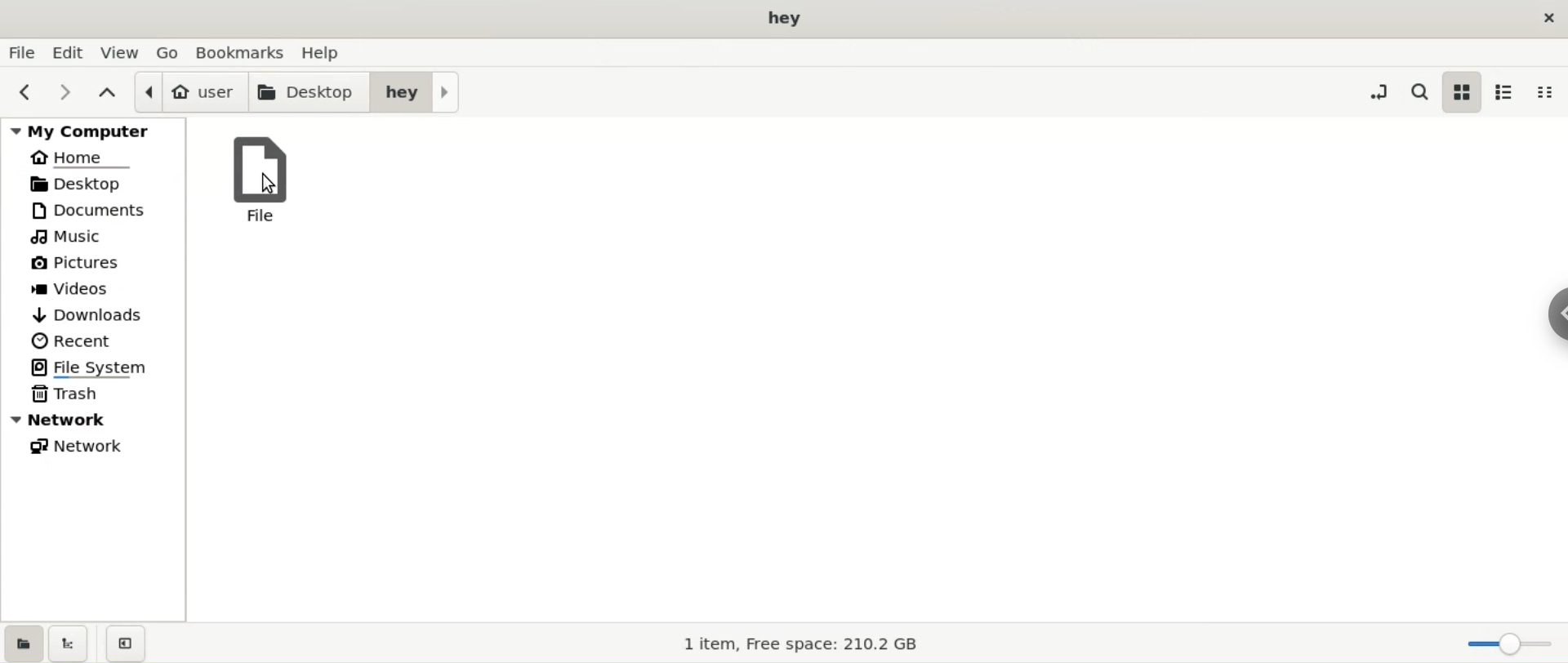  Describe the element at coordinates (253, 177) in the screenshot. I see `file` at that location.